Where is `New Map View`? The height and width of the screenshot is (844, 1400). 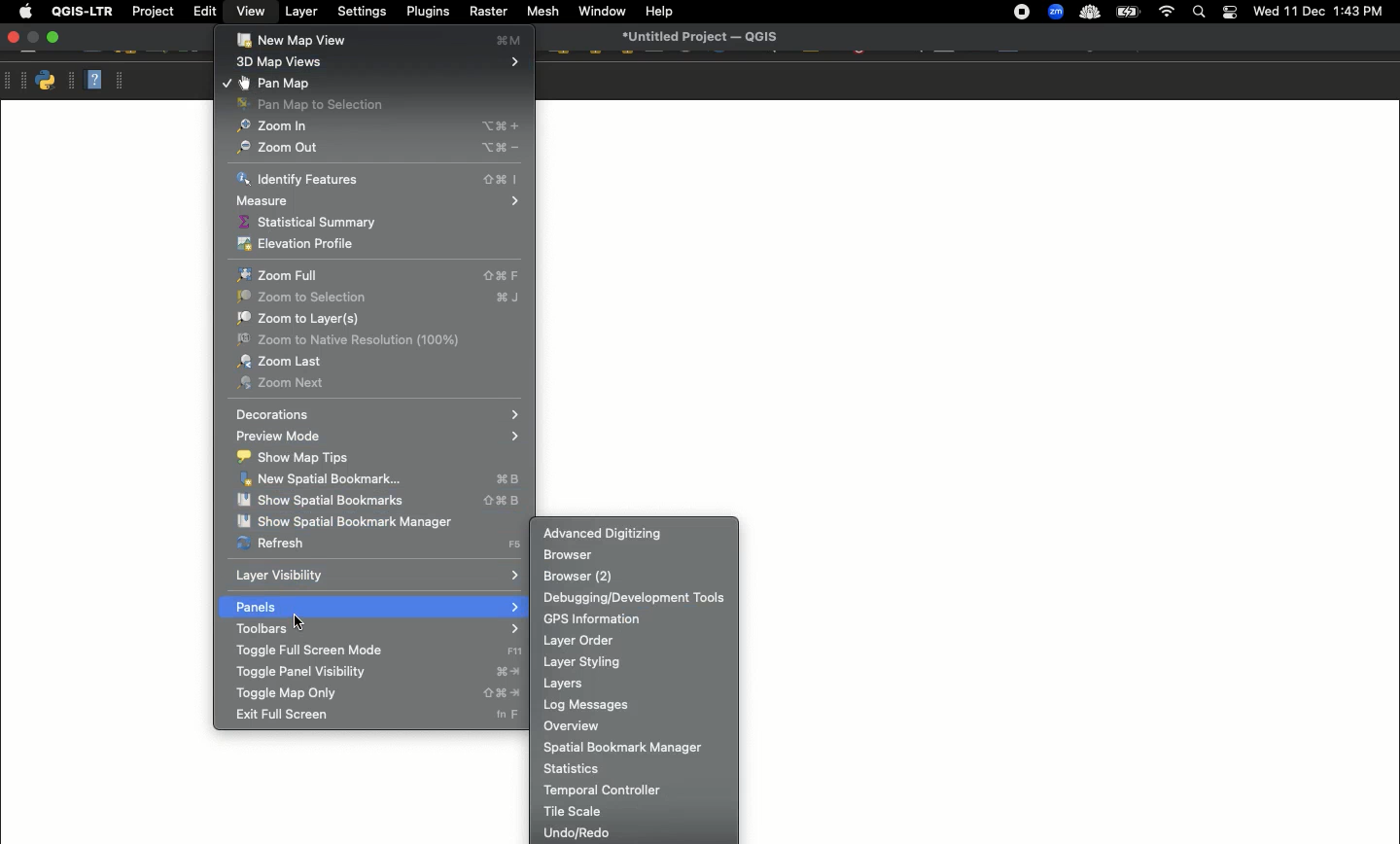
New Map View is located at coordinates (381, 41).